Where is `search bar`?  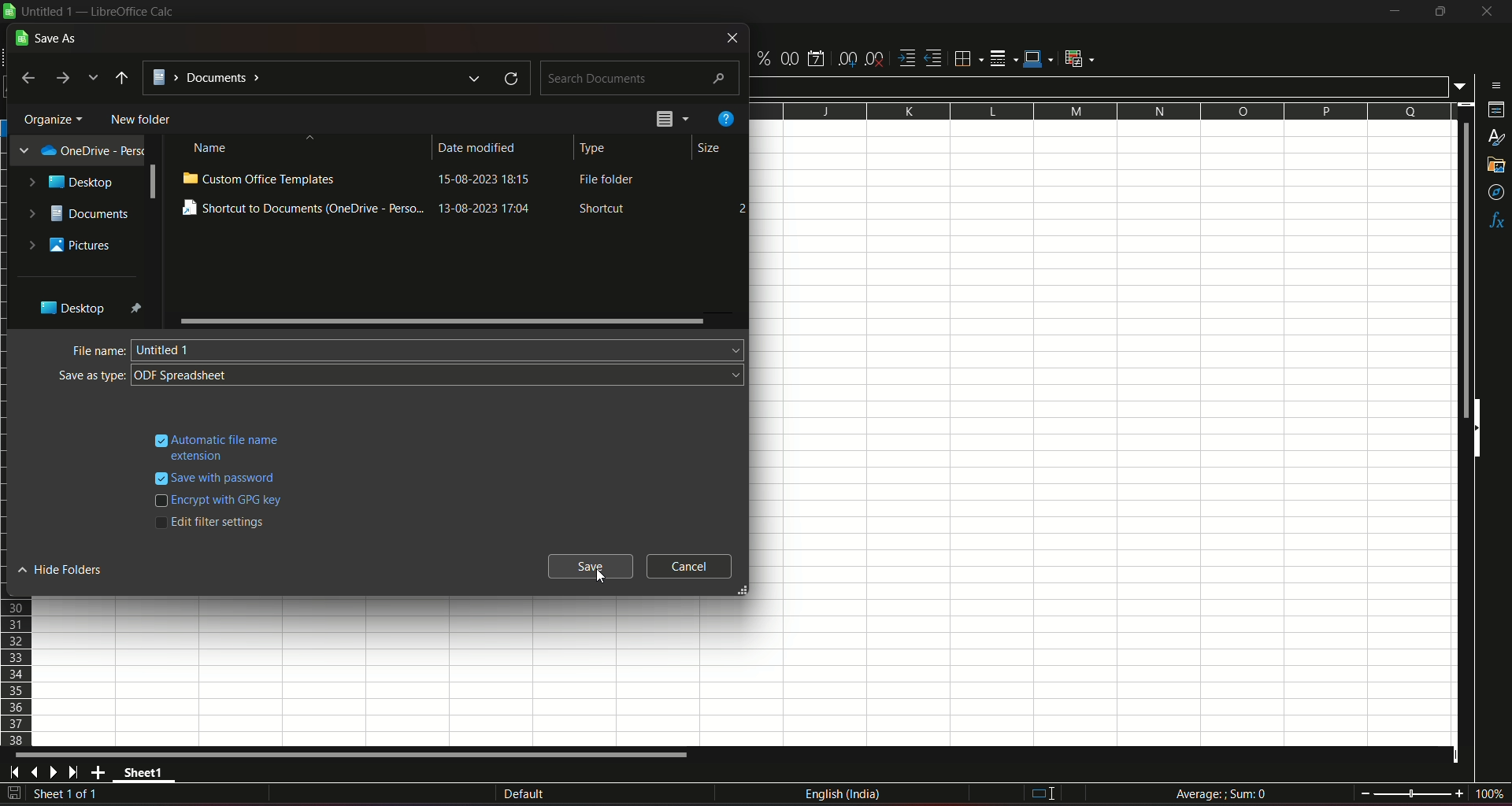
search bar is located at coordinates (641, 76).